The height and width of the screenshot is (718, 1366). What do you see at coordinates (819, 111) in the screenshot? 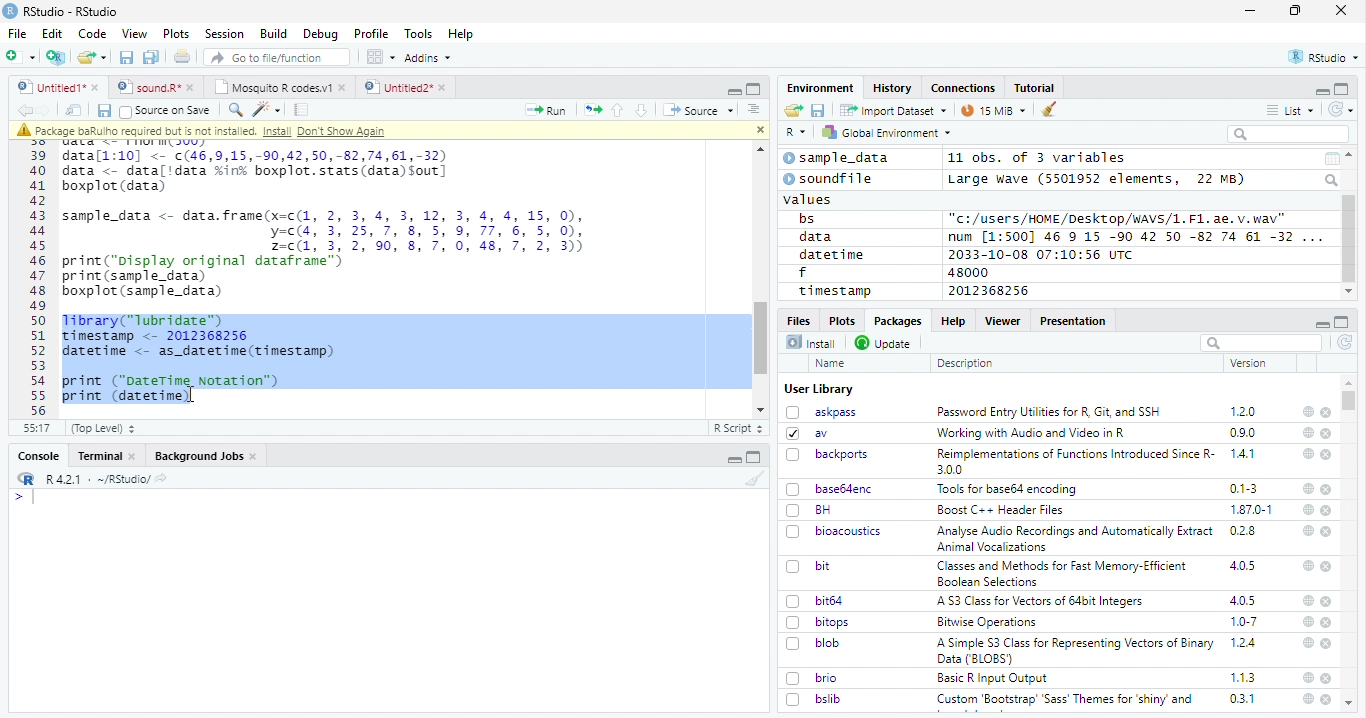
I see `Save` at bounding box center [819, 111].